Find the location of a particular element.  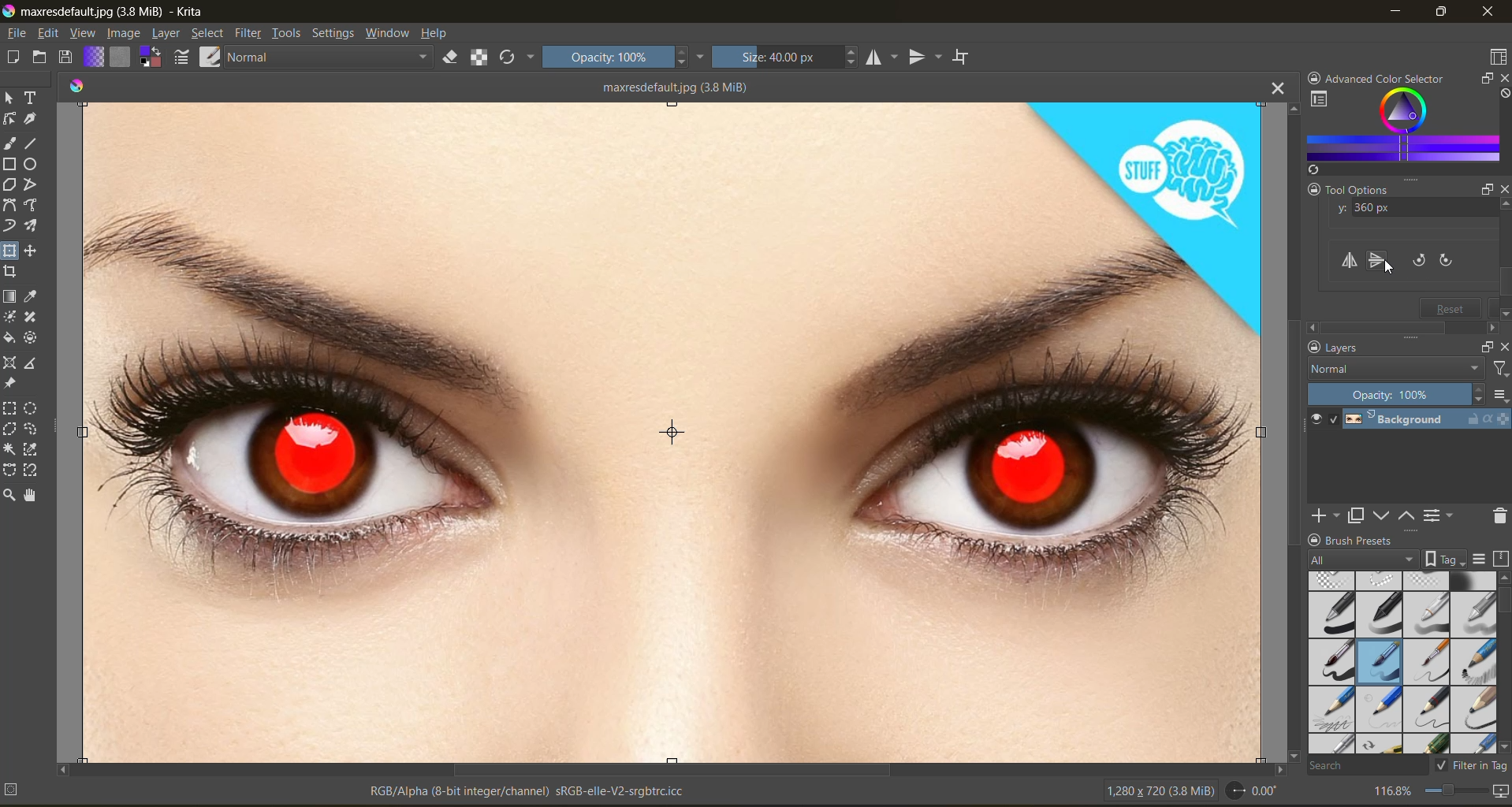

preserve alpha is located at coordinates (480, 58).